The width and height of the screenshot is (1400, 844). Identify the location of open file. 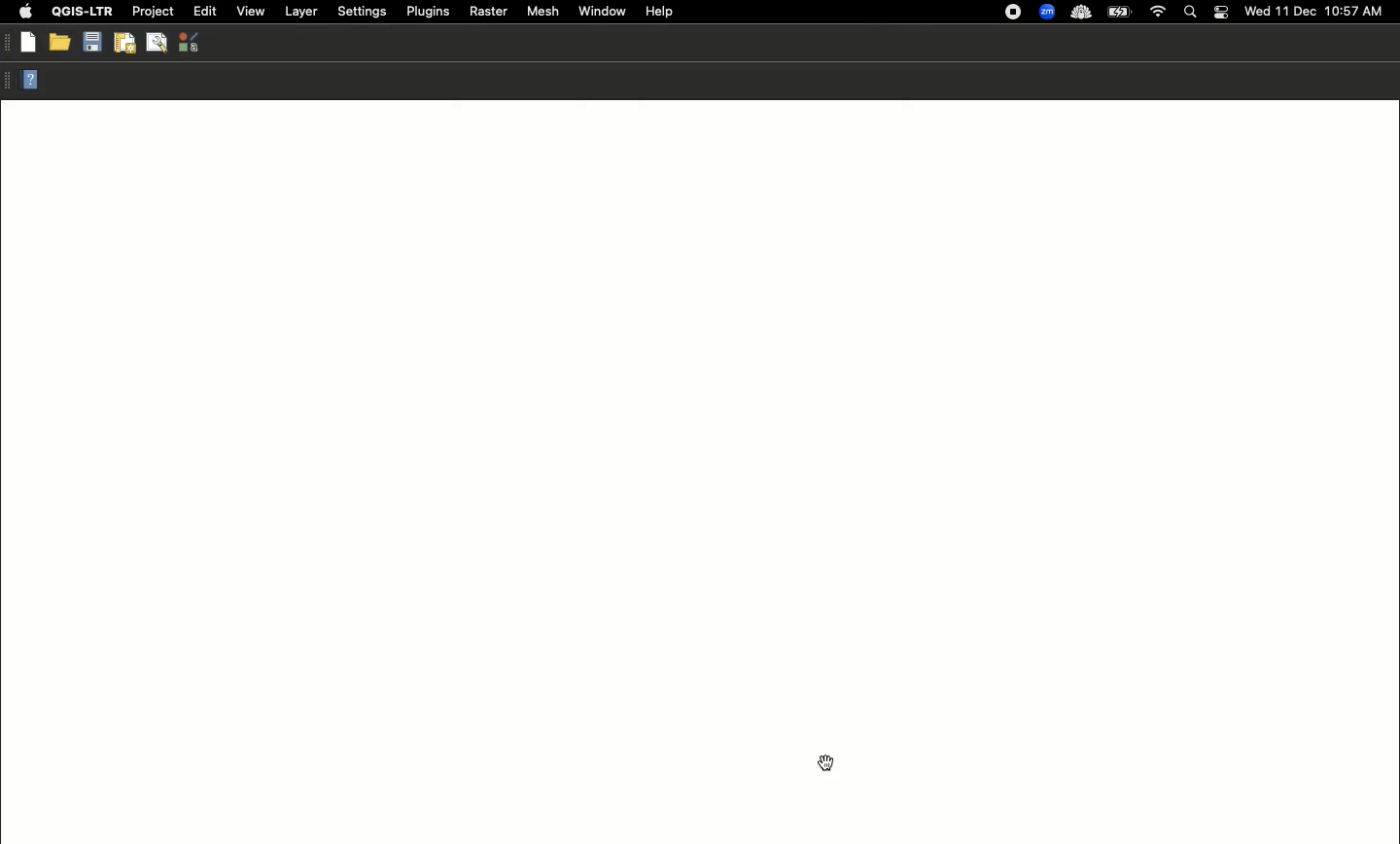
(58, 42).